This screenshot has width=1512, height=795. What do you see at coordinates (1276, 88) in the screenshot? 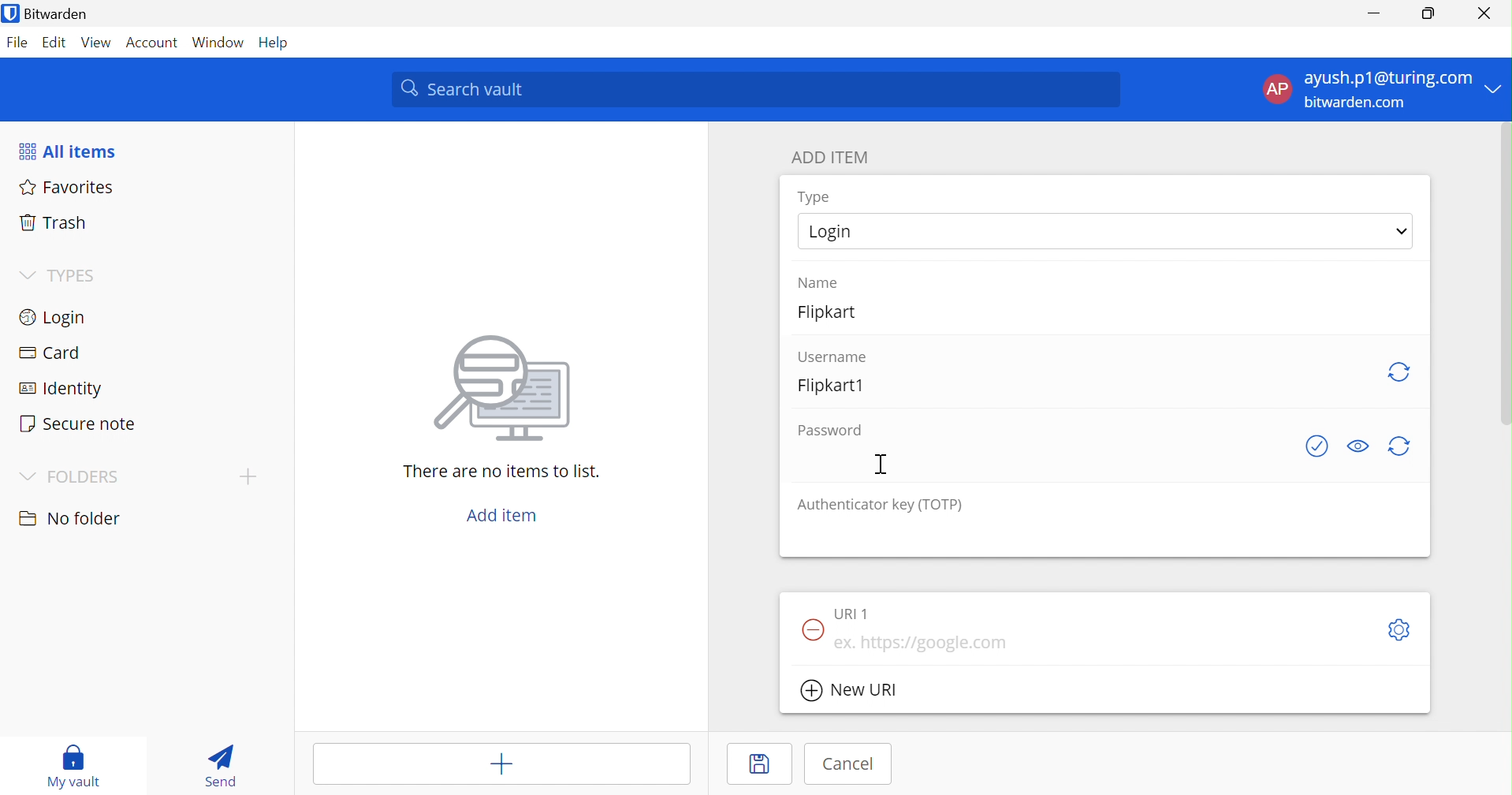
I see `AP` at bounding box center [1276, 88].